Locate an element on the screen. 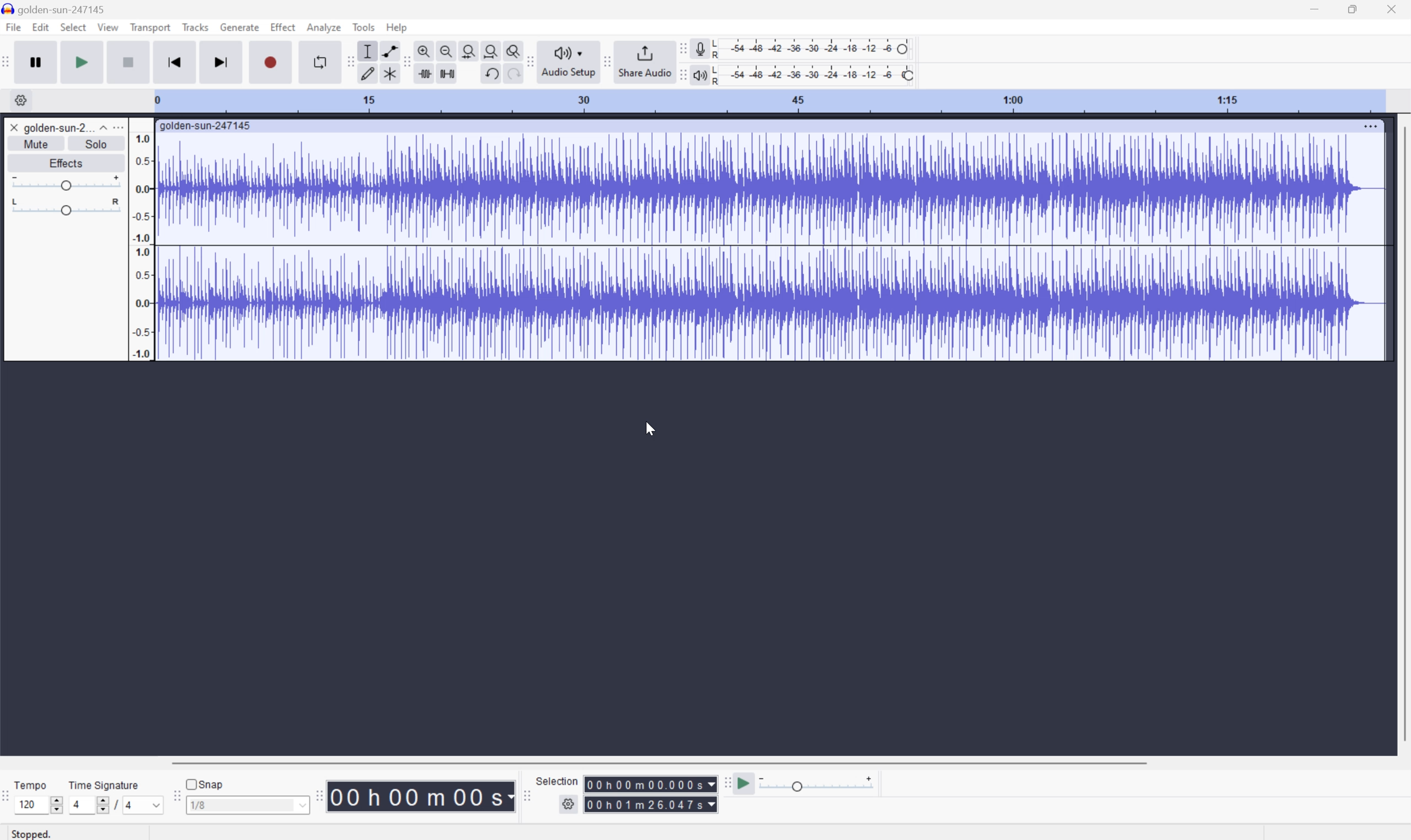 This screenshot has width=1411, height=840.  is located at coordinates (510, 75).